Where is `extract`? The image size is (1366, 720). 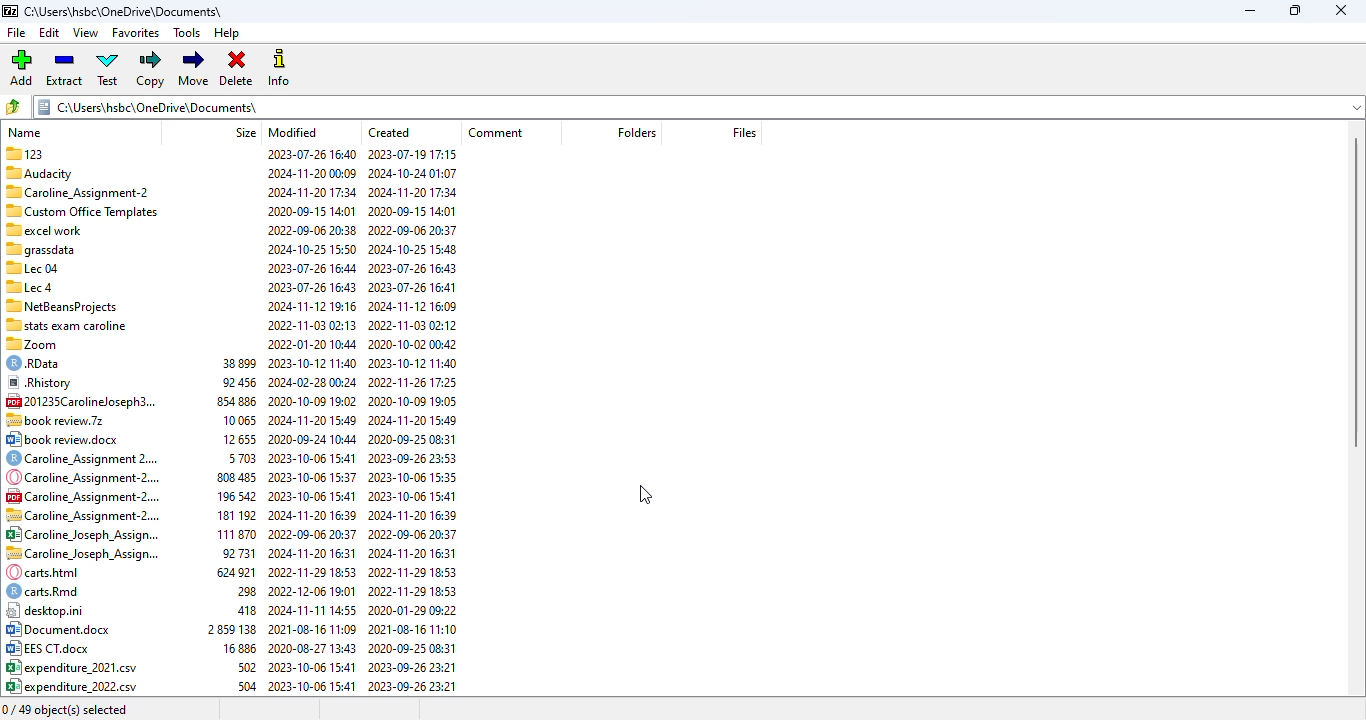
extract is located at coordinates (64, 68).